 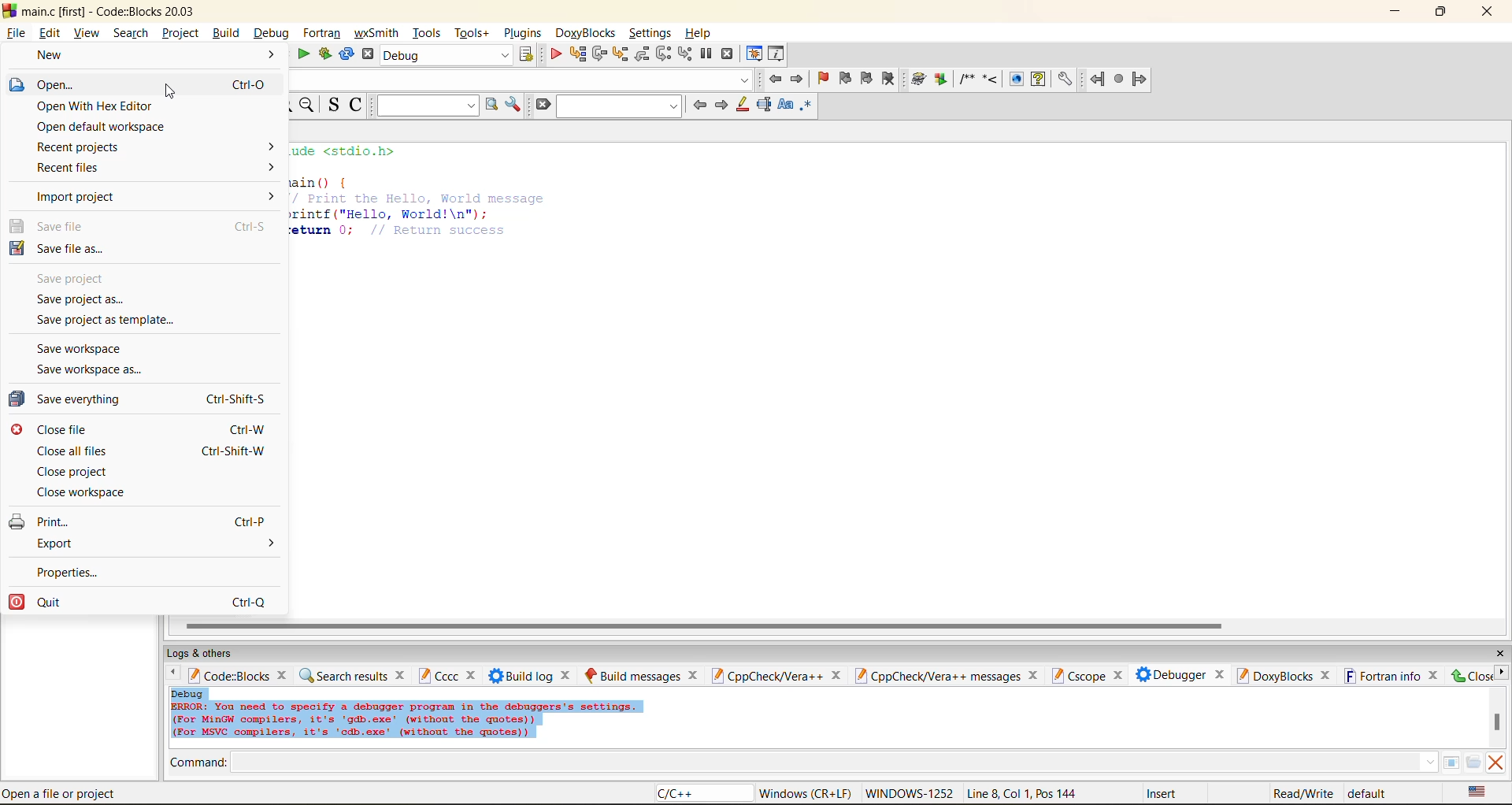 I want to click on clear, so click(x=542, y=105).